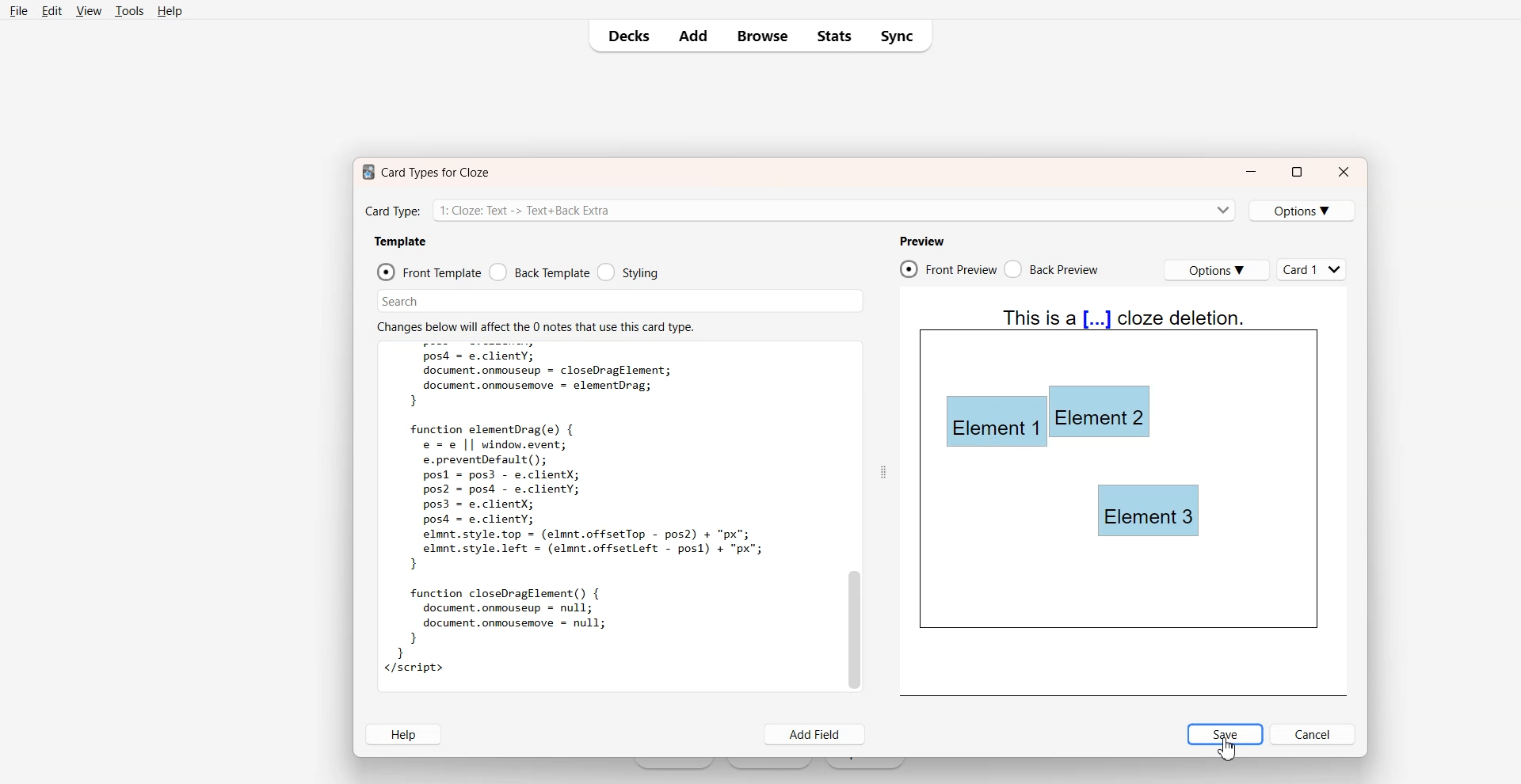 The height and width of the screenshot is (784, 1521). Describe the element at coordinates (1303, 211) in the screenshot. I see `Options` at that location.